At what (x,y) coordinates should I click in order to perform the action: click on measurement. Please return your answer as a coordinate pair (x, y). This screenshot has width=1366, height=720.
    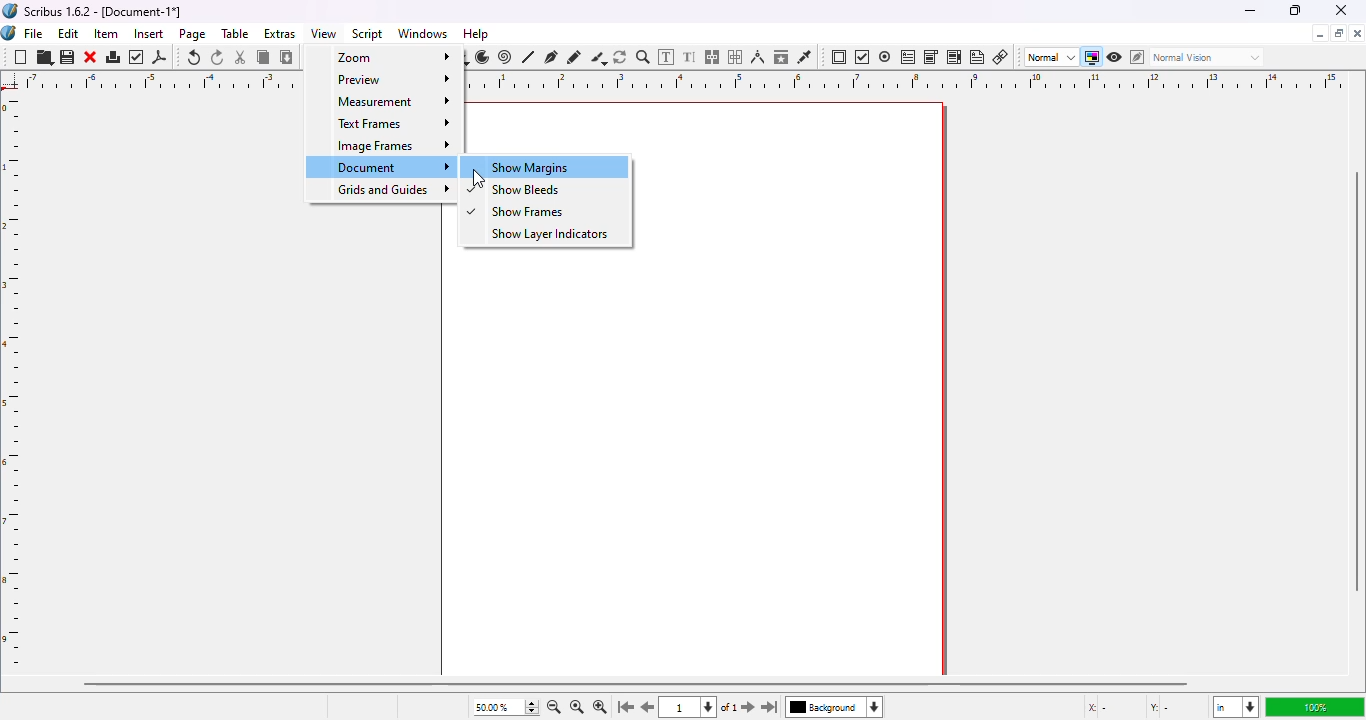
    Looking at the image, I should click on (382, 100).